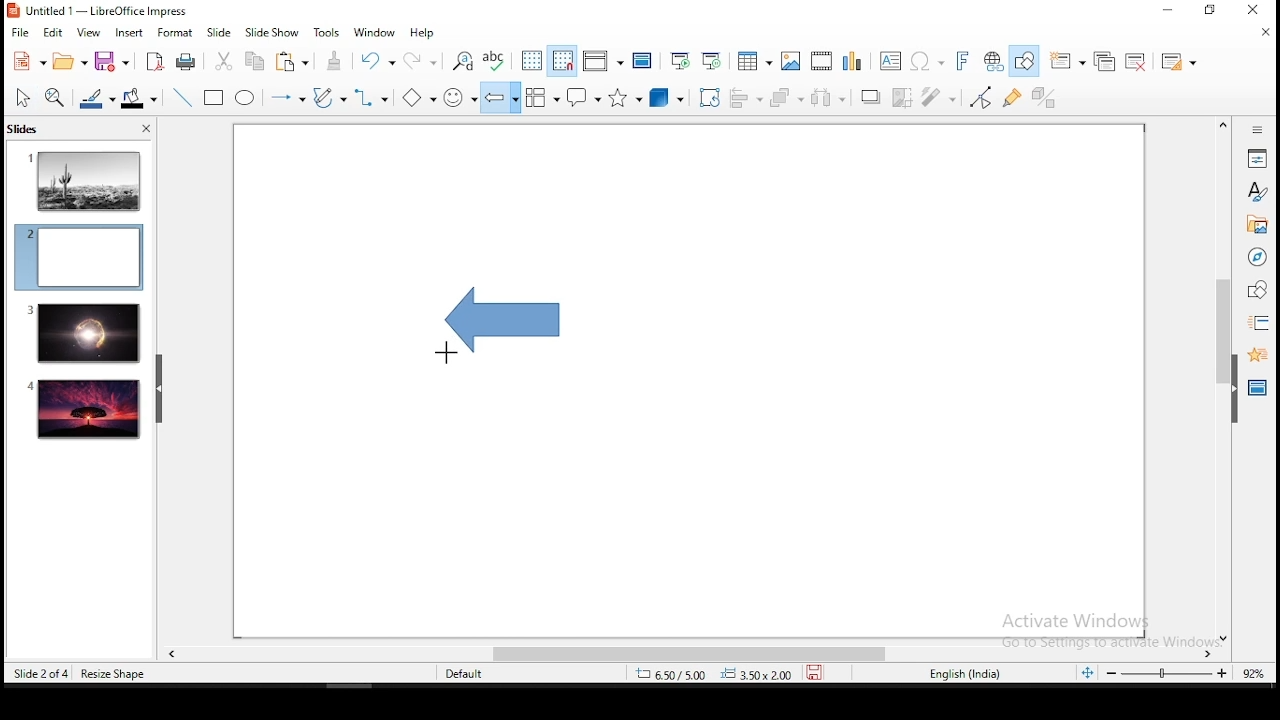 Image resolution: width=1280 pixels, height=720 pixels. Describe the element at coordinates (295, 61) in the screenshot. I see `paste` at that location.